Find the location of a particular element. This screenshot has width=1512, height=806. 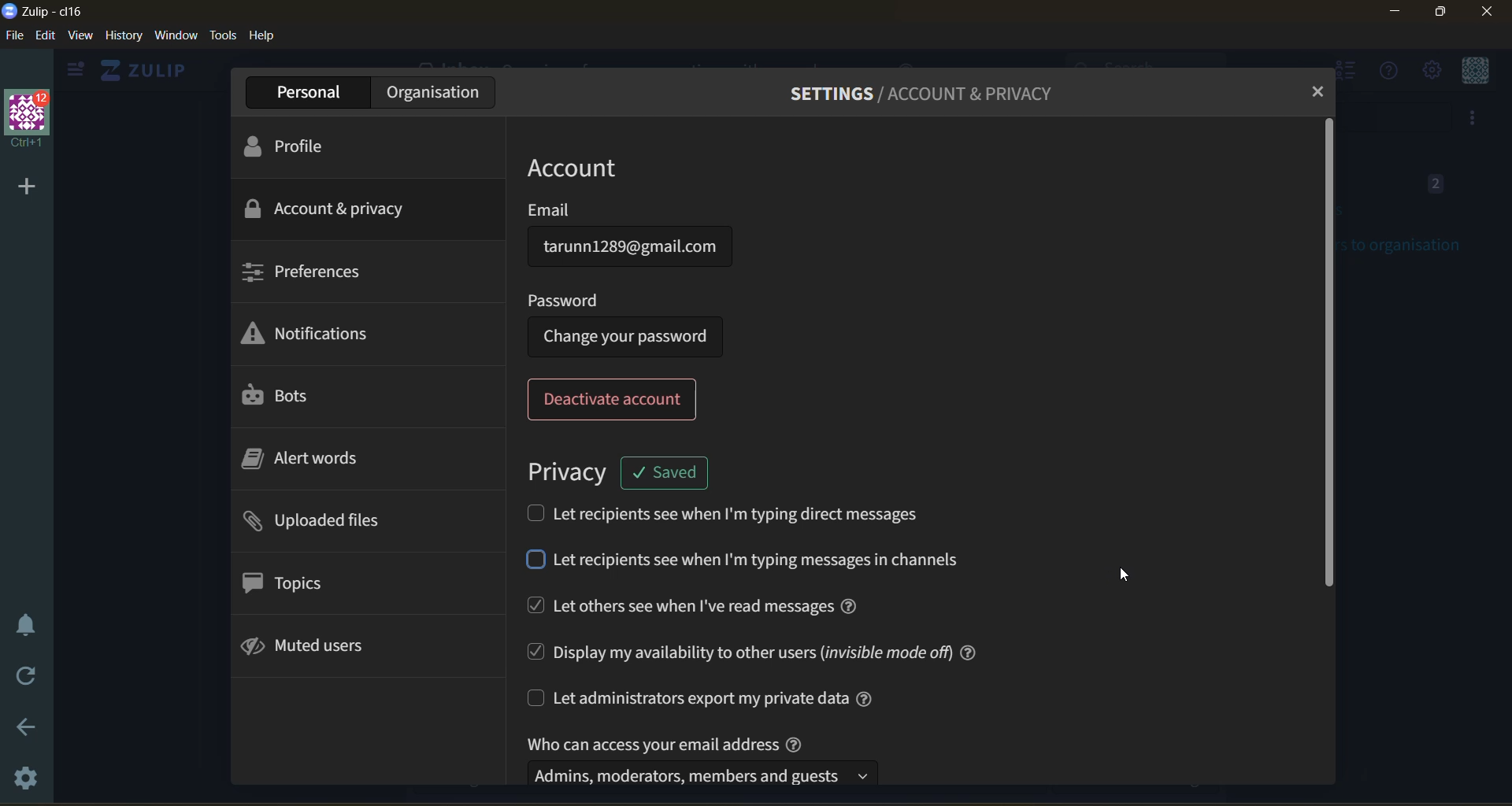

email: tarunn1289@gmail.com is located at coordinates (632, 238).